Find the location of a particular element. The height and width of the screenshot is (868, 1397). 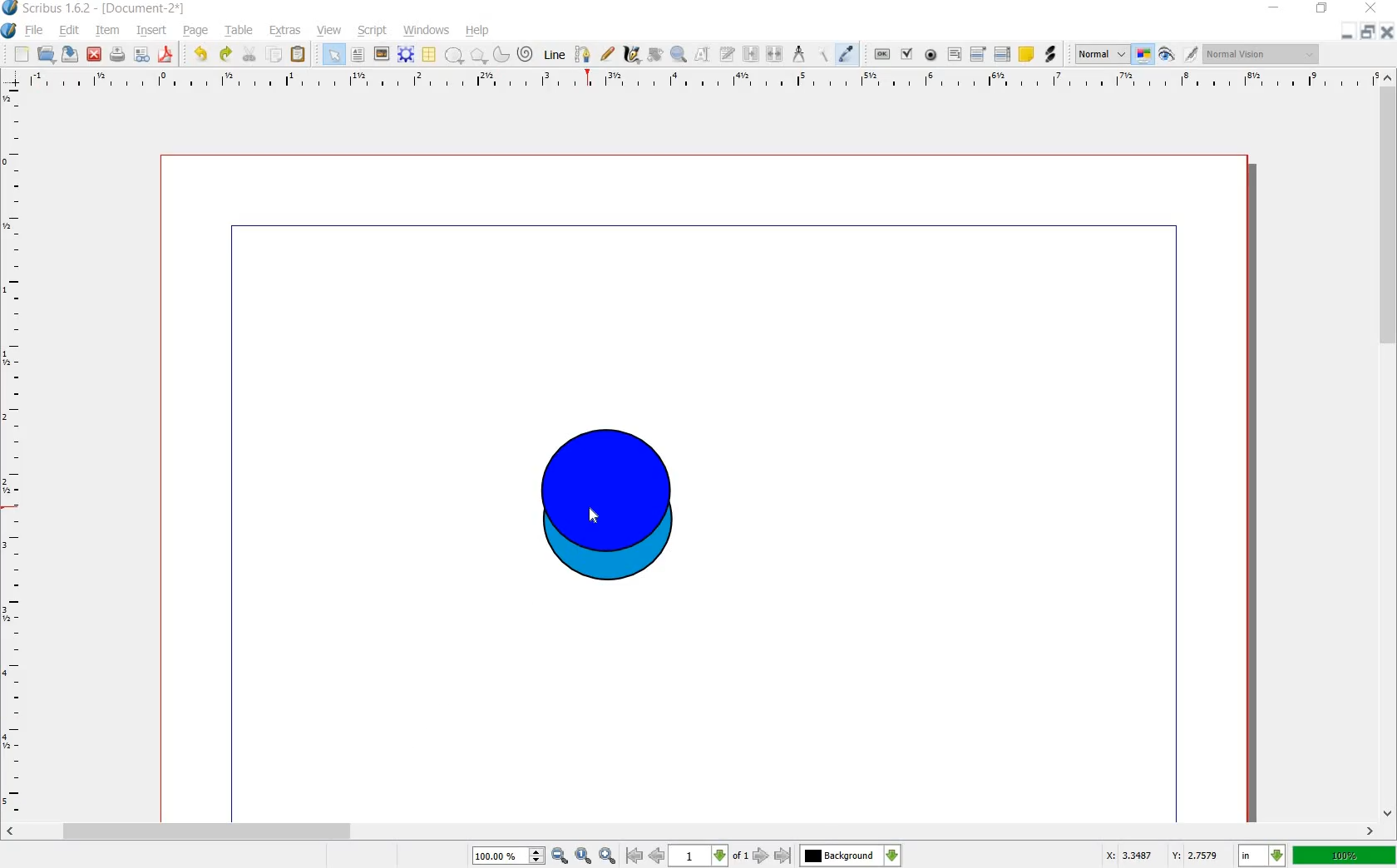

copy item properties is located at coordinates (823, 56).